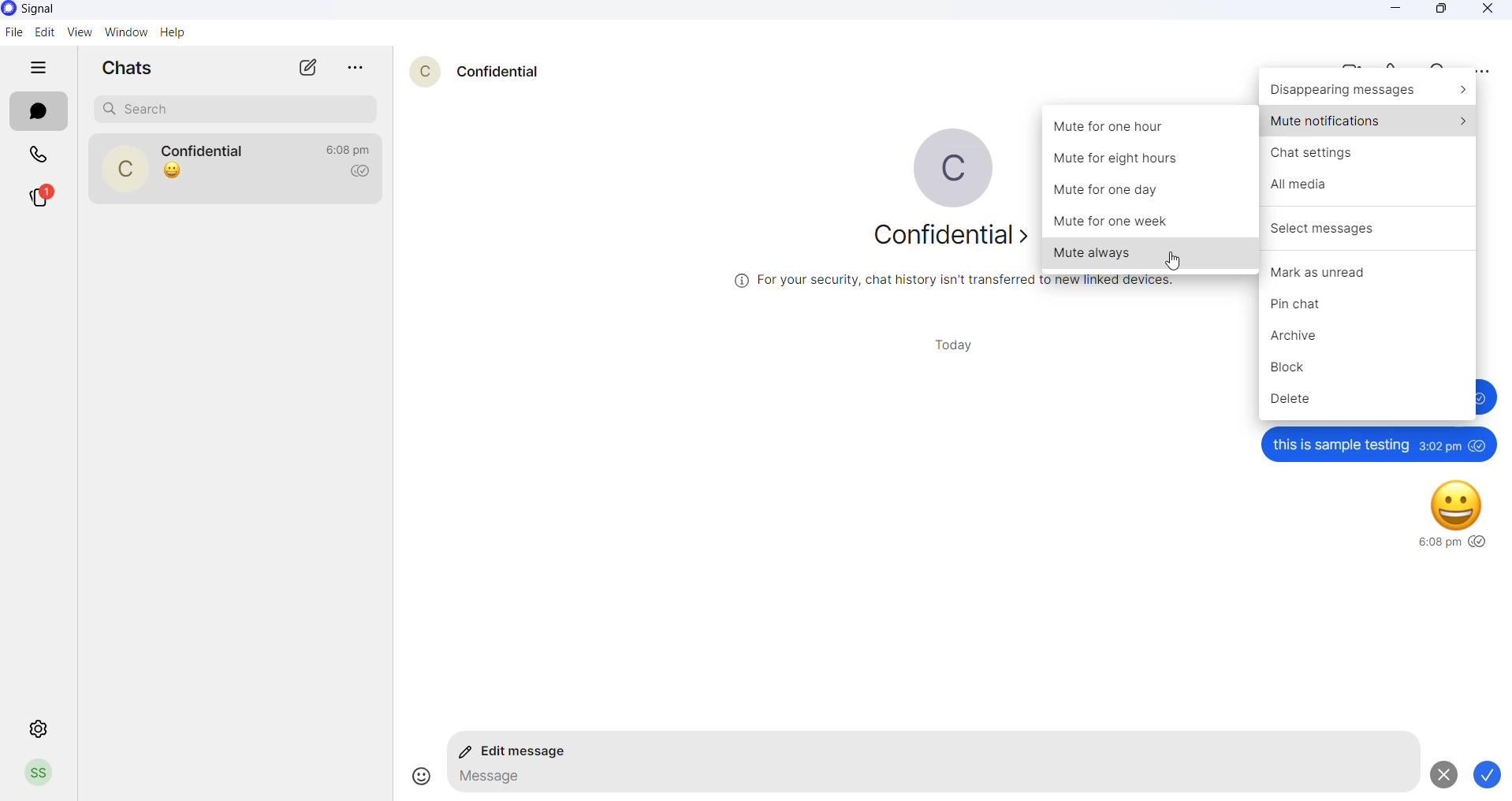 The image size is (1512, 801). What do you see at coordinates (1441, 774) in the screenshot?
I see `cancel edit` at bounding box center [1441, 774].